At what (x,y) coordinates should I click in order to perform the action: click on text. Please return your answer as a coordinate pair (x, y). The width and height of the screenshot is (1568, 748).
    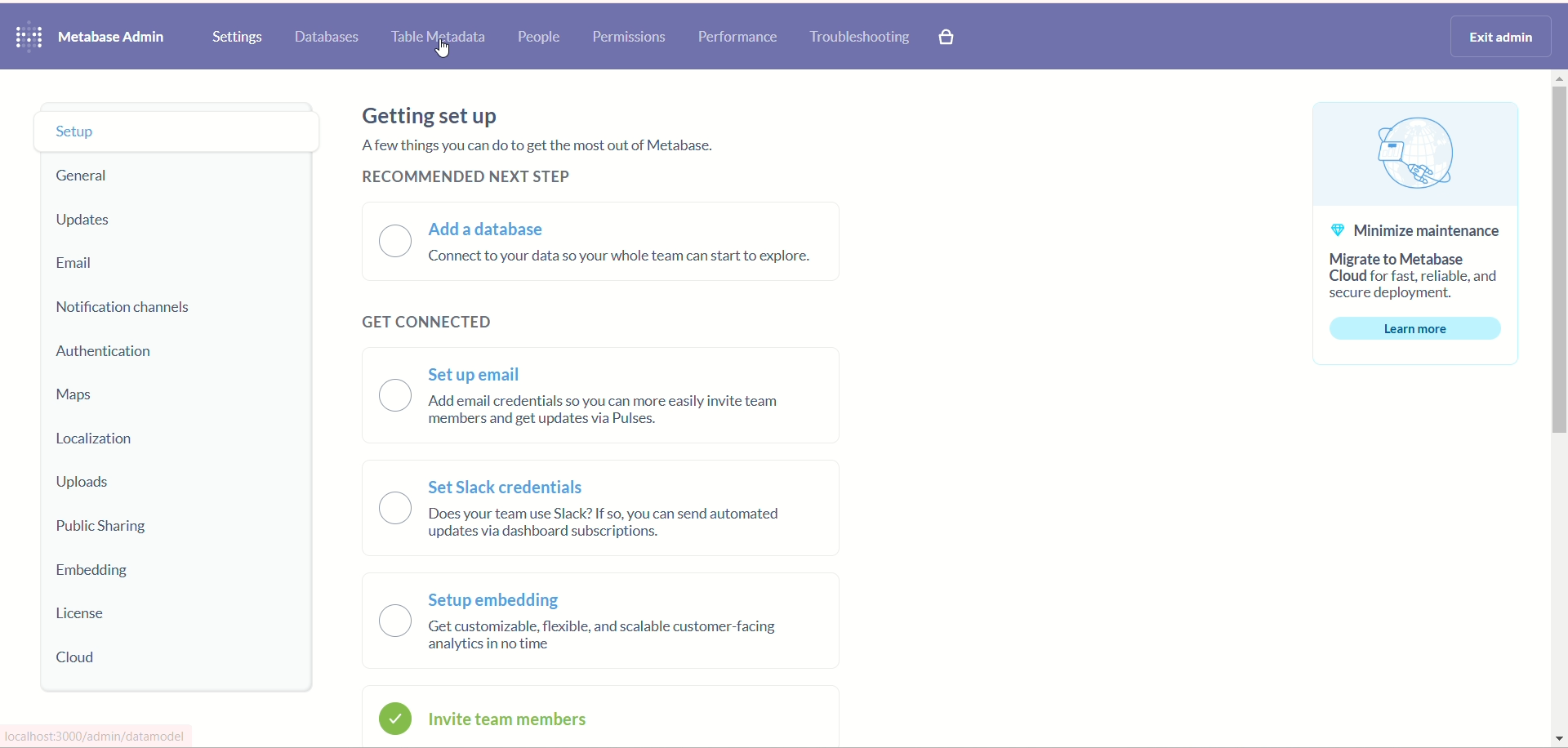
    Looking at the image, I should click on (601, 614).